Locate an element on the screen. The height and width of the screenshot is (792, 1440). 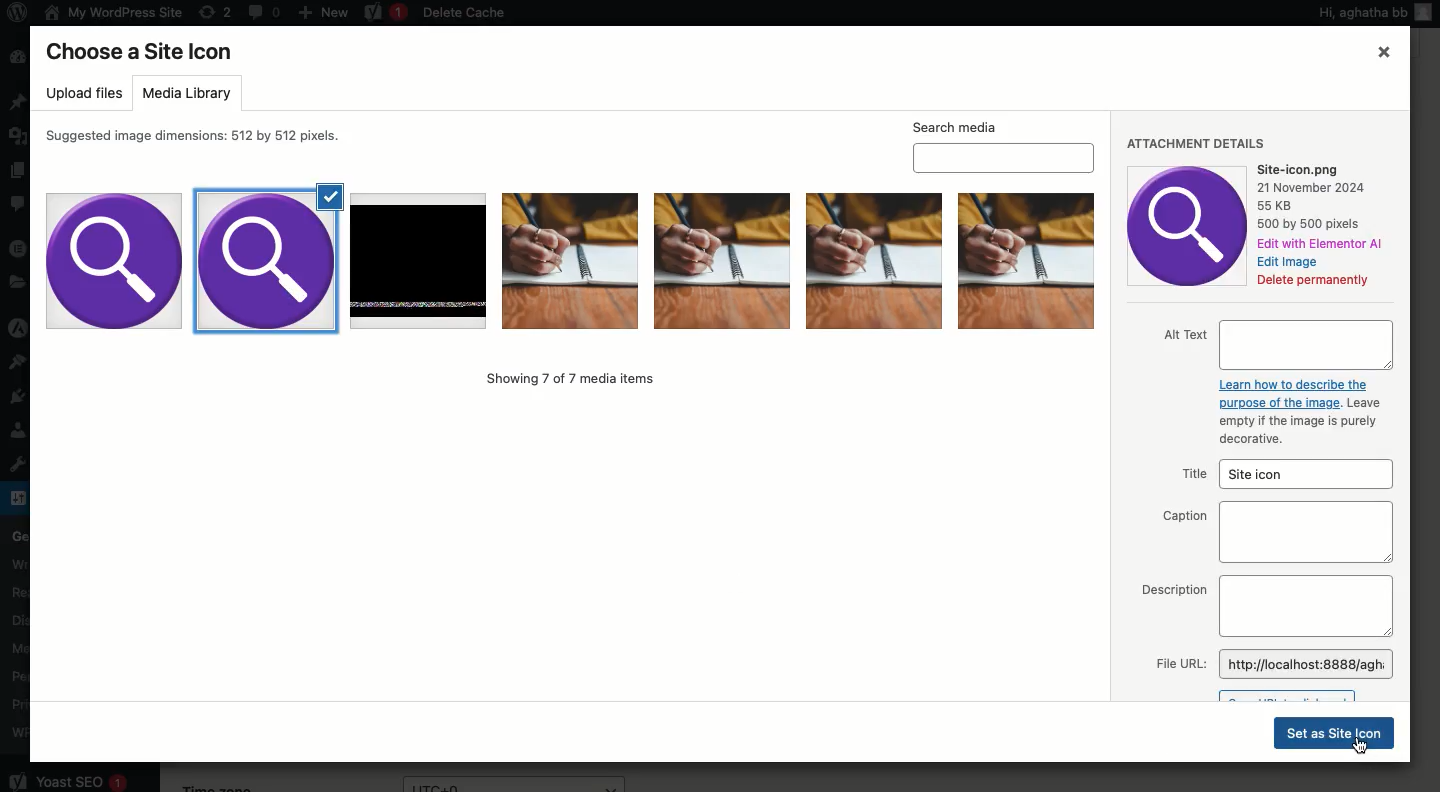
Suggested image dimensions is located at coordinates (200, 137).